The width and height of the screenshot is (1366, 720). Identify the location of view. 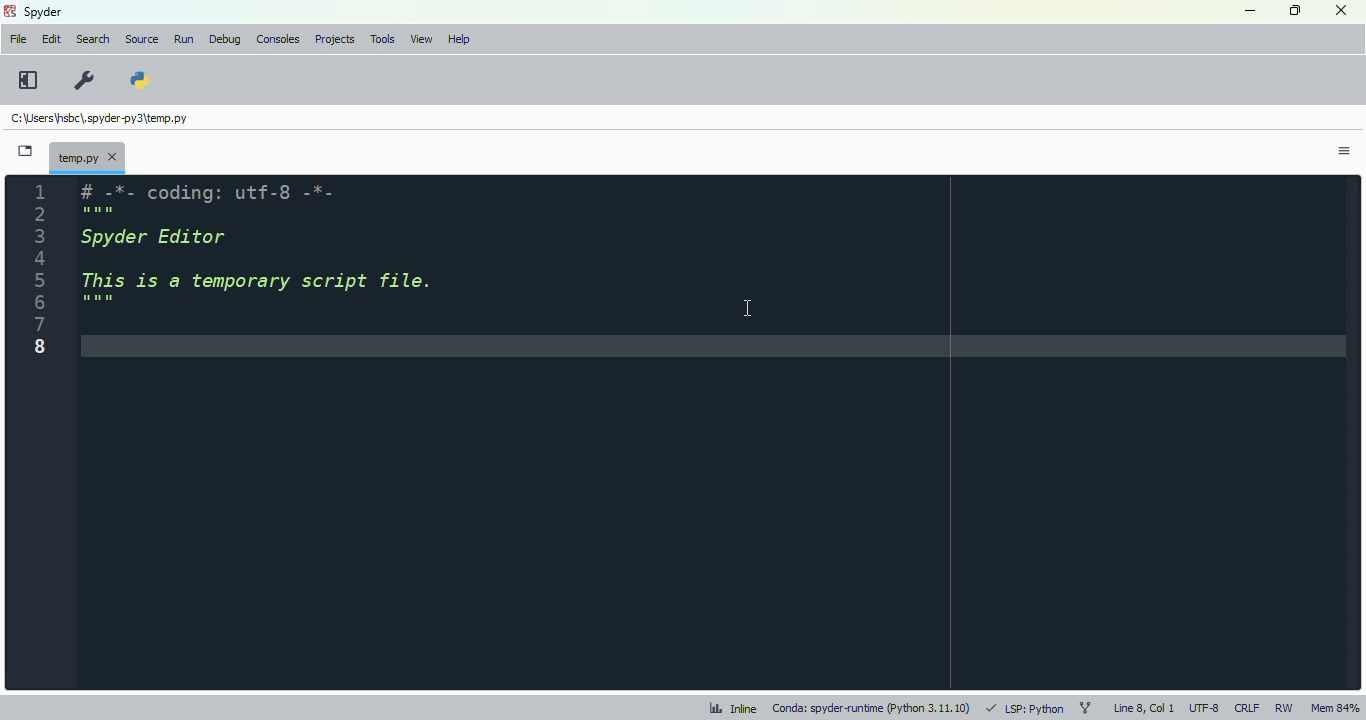
(421, 38).